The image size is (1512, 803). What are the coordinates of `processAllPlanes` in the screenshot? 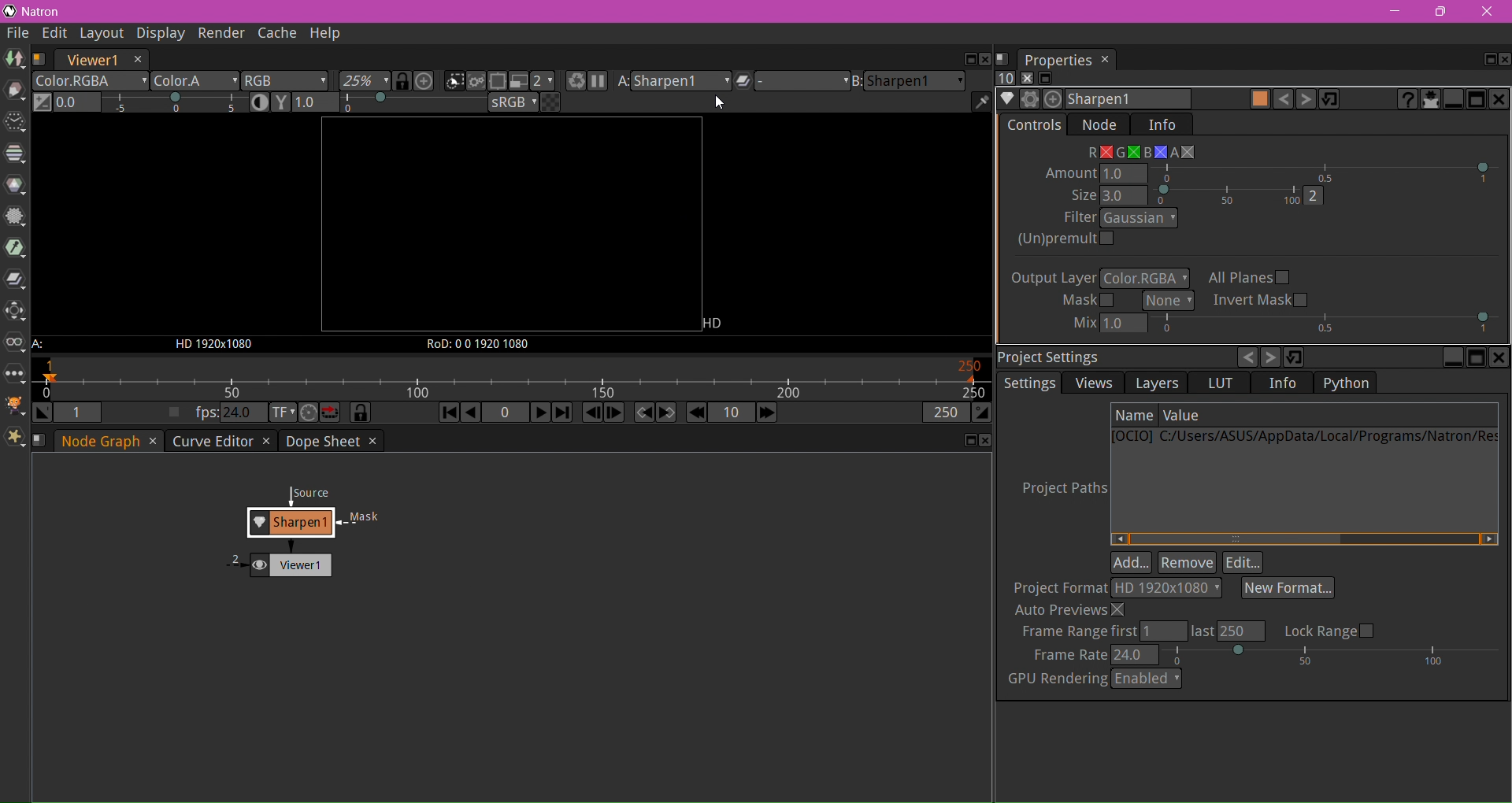 It's located at (1250, 277).